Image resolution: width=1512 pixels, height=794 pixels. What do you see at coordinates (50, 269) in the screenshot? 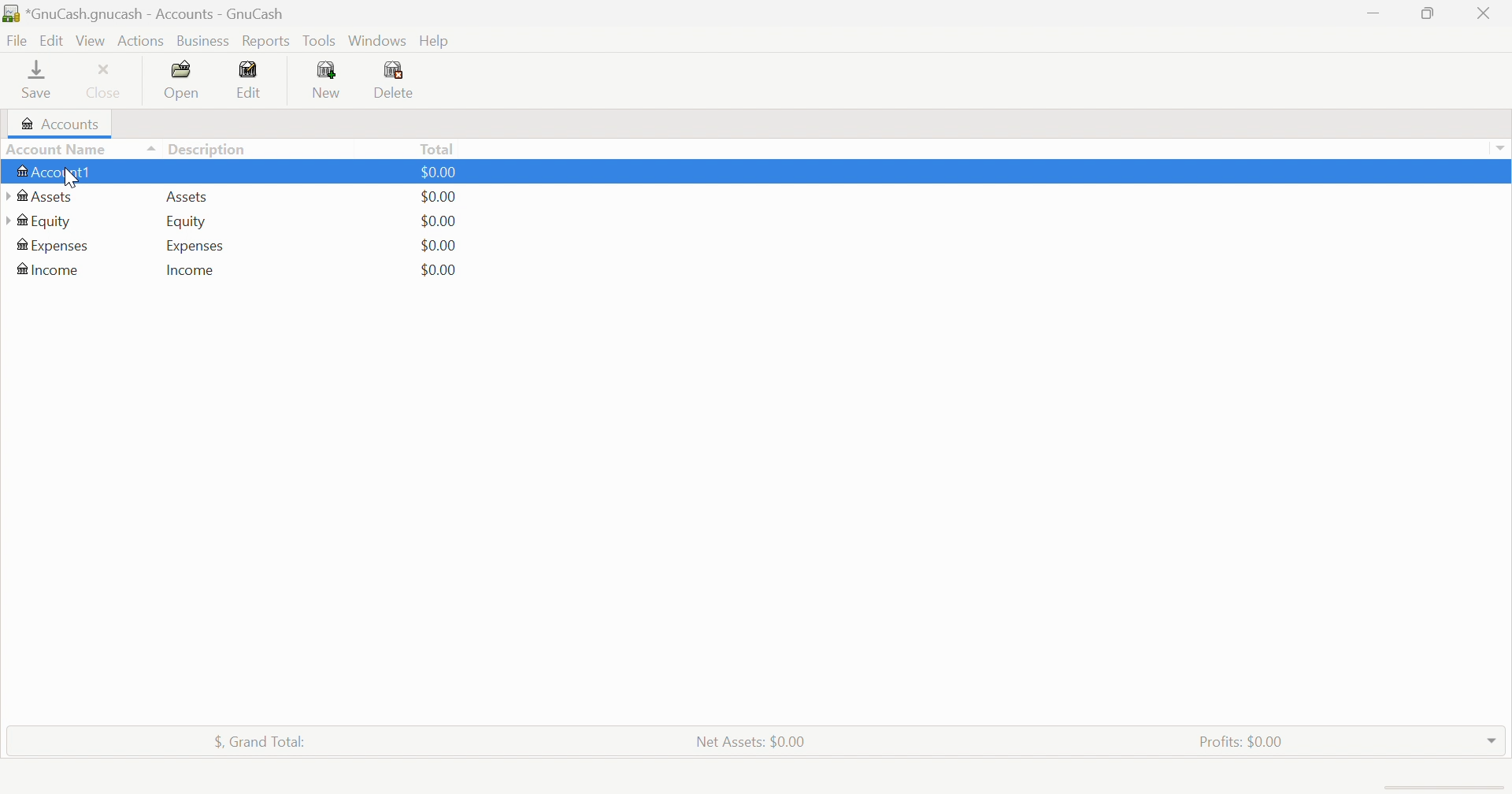
I see `Income` at bounding box center [50, 269].